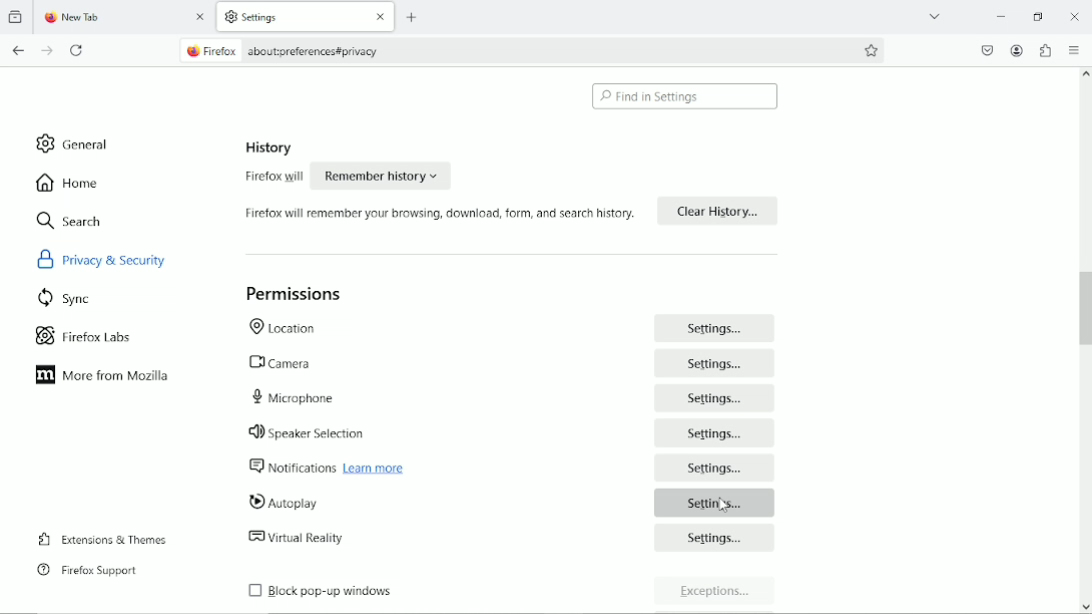  Describe the element at coordinates (230, 16) in the screenshot. I see `settings logo` at that location.